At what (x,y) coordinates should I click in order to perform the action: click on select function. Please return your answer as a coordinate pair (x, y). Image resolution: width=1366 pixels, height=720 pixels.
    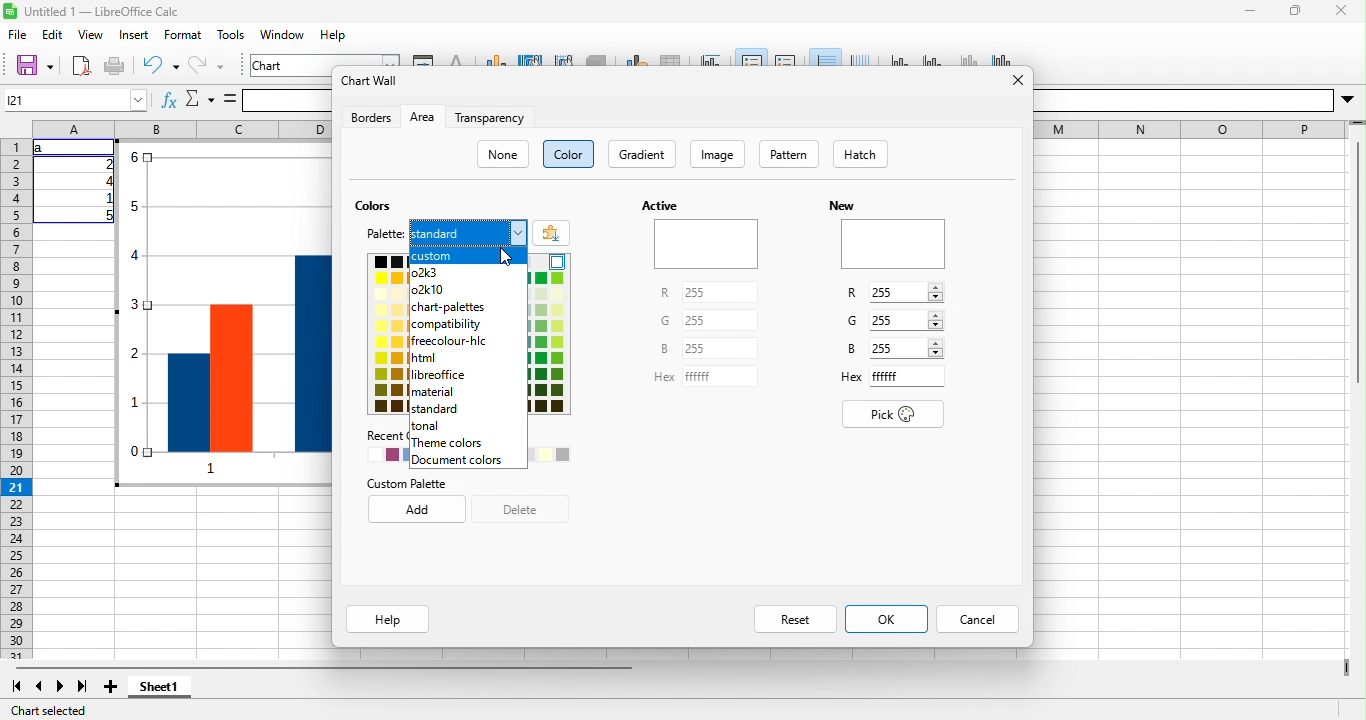
    Looking at the image, I should click on (199, 99).